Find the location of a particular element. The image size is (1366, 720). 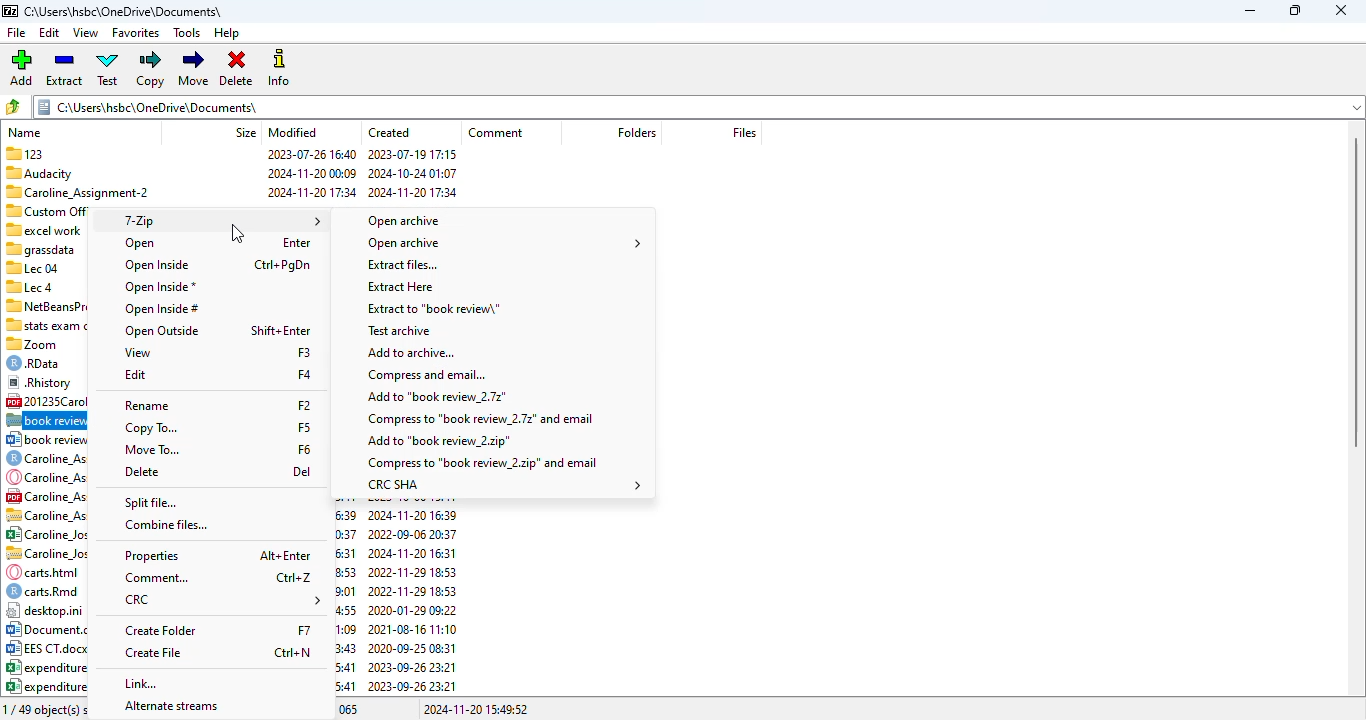

shortcut for edit is located at coordinates (304, 374).